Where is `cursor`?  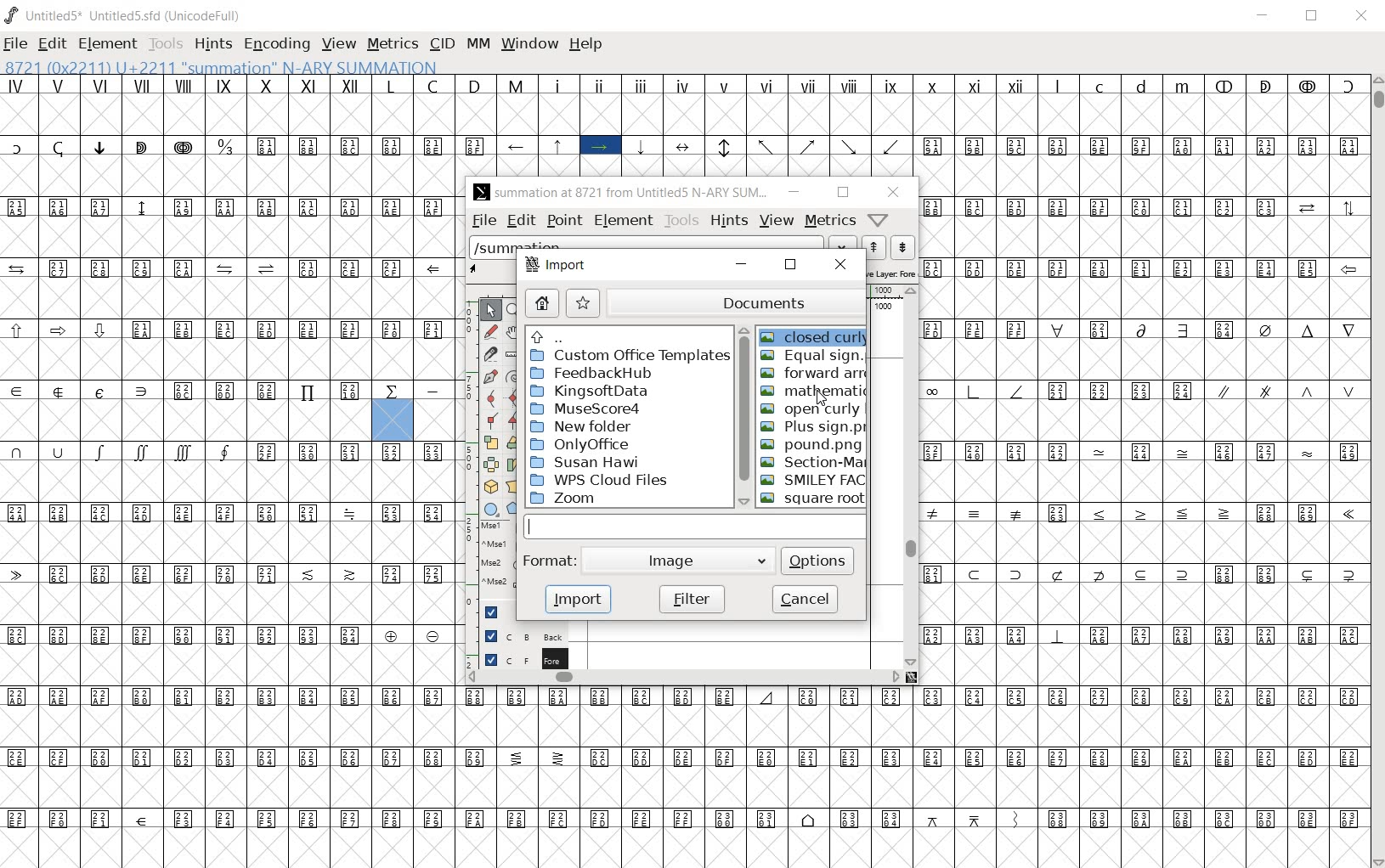
cursor is located at coordinates (821, 401).